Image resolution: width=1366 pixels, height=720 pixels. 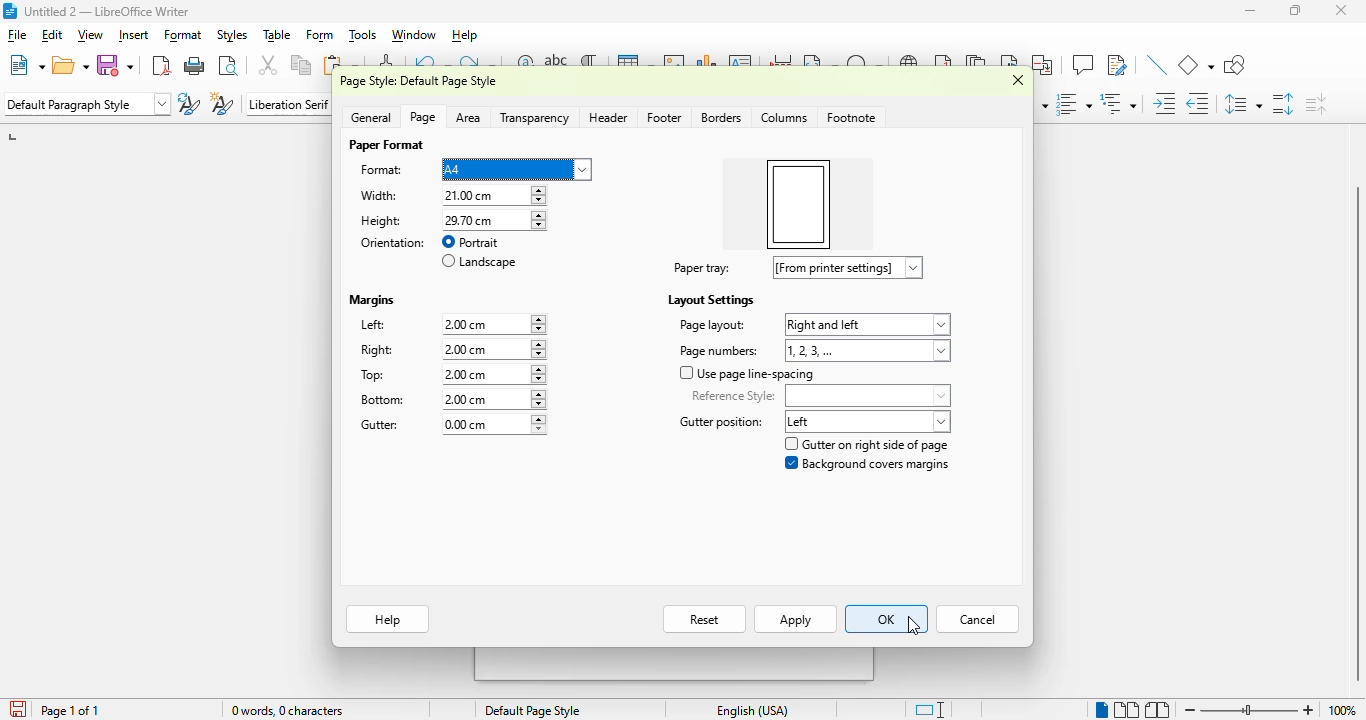 I want to click on insert cross-reference, so click(x=1041, y=65).